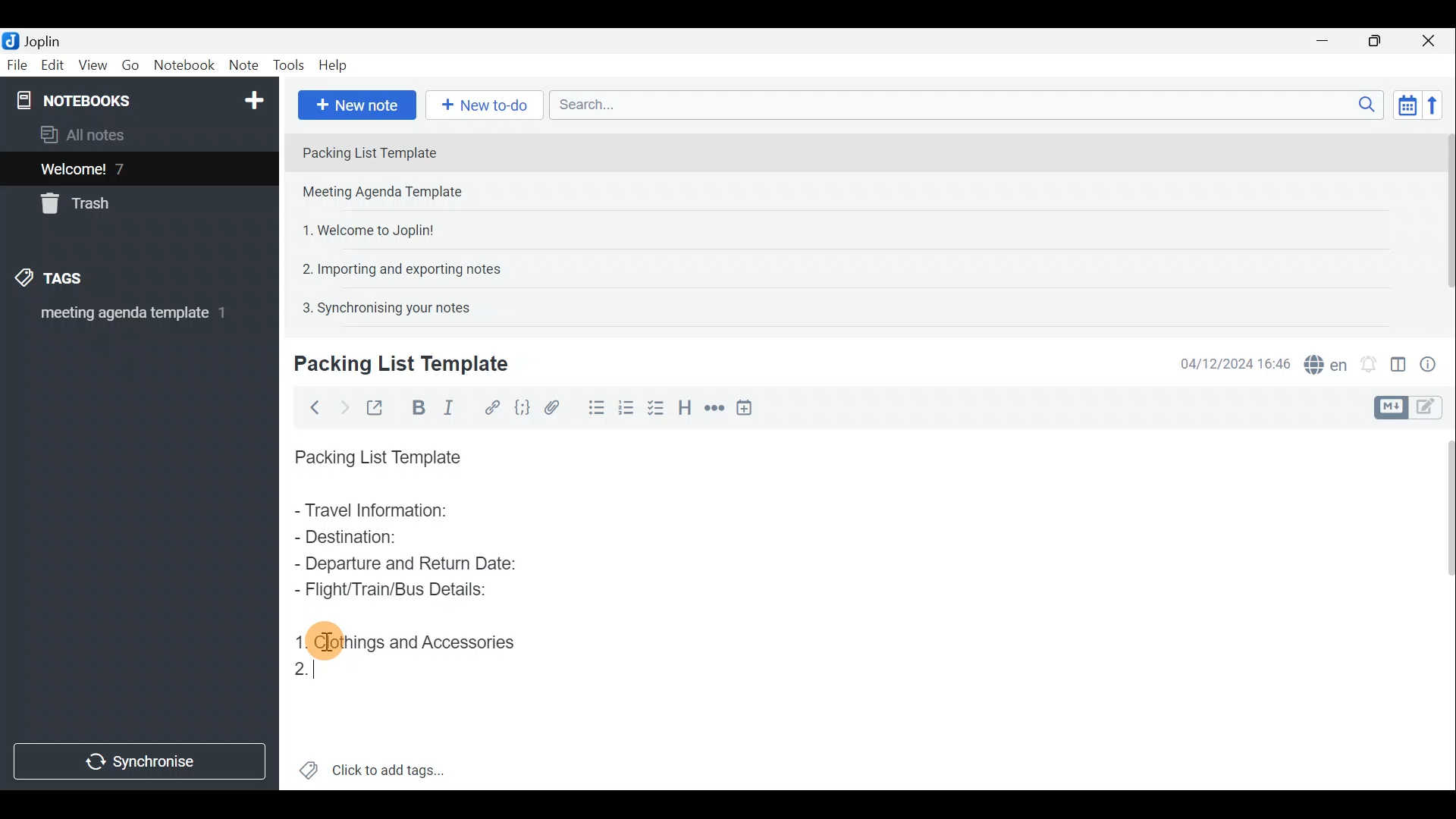 This screenshot has width=1456, height=819. I want to click on Toggle editors, so click(1393, 406).